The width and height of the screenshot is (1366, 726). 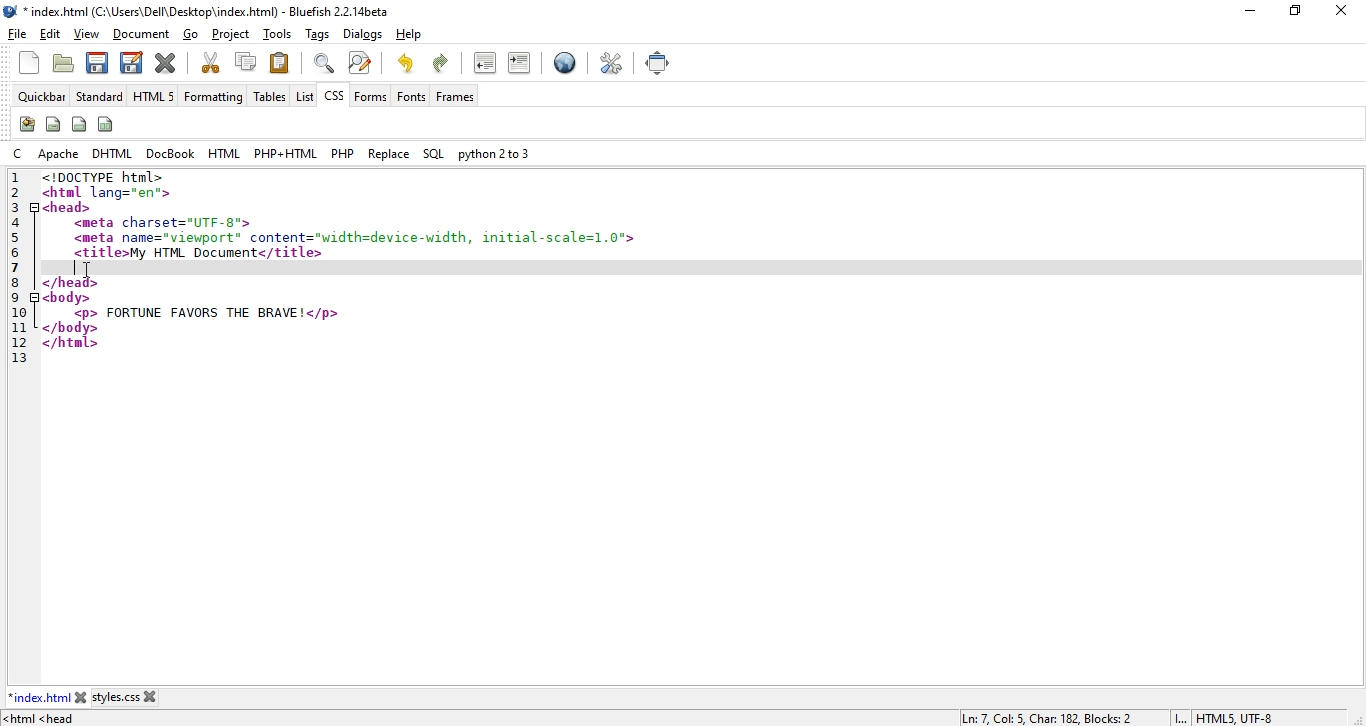 I want to click on copy, so click(x=246, y=61).